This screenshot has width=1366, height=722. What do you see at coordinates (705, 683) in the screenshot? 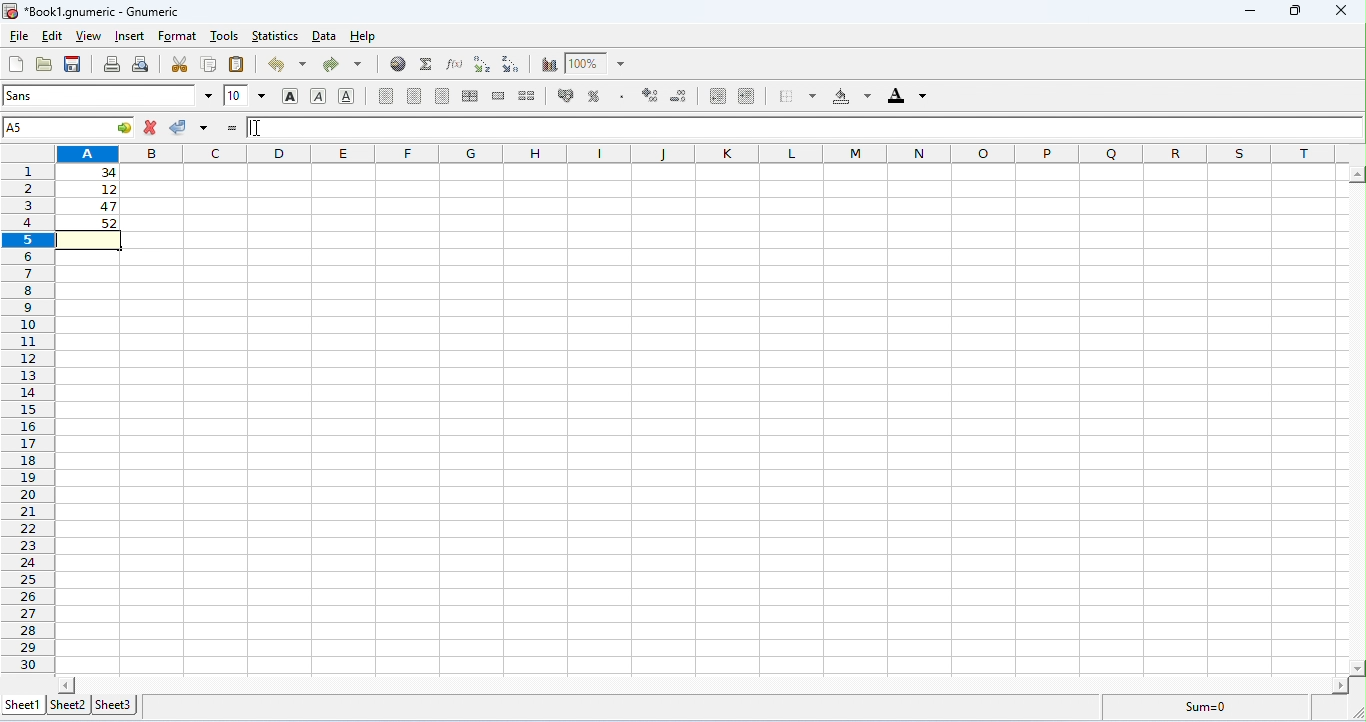
I see `space for horizontal scroll bar` at bounding box center [705, 683].